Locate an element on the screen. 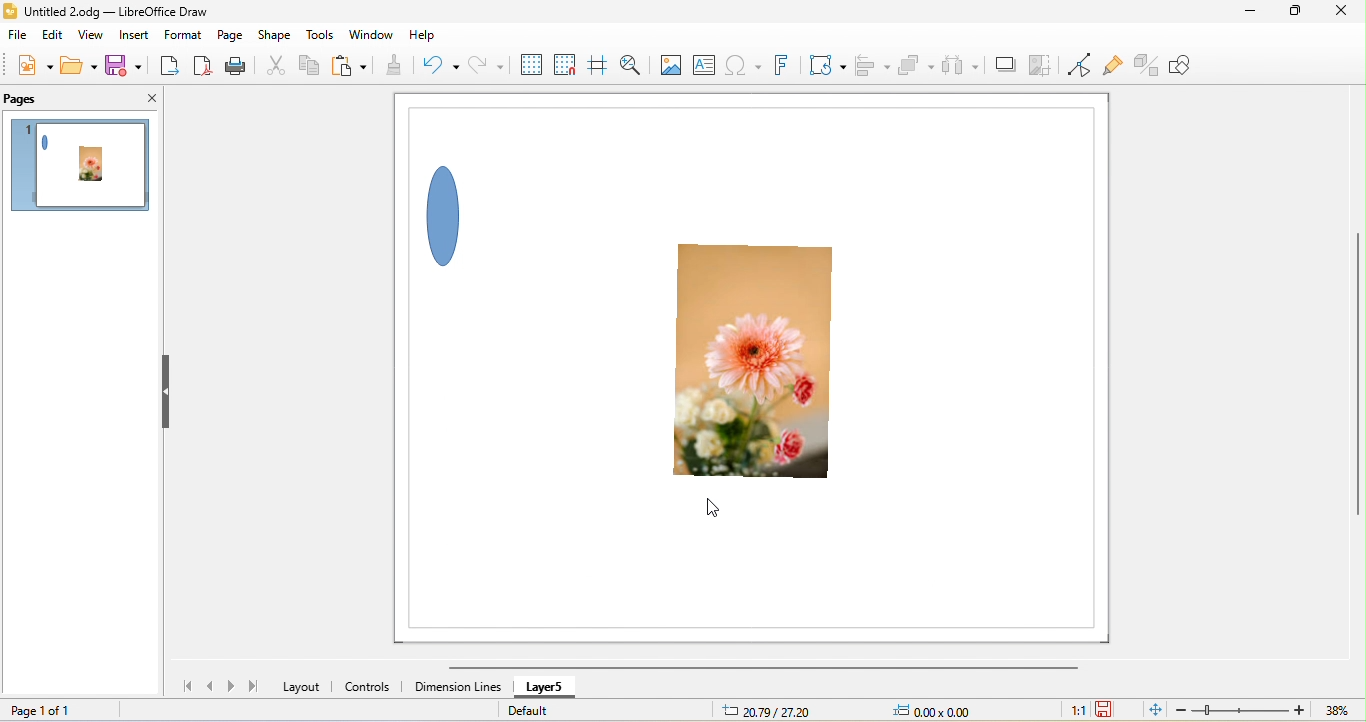 The height and width of the screenshot is (722, 1366). align object is located at coordinates (857, 63).